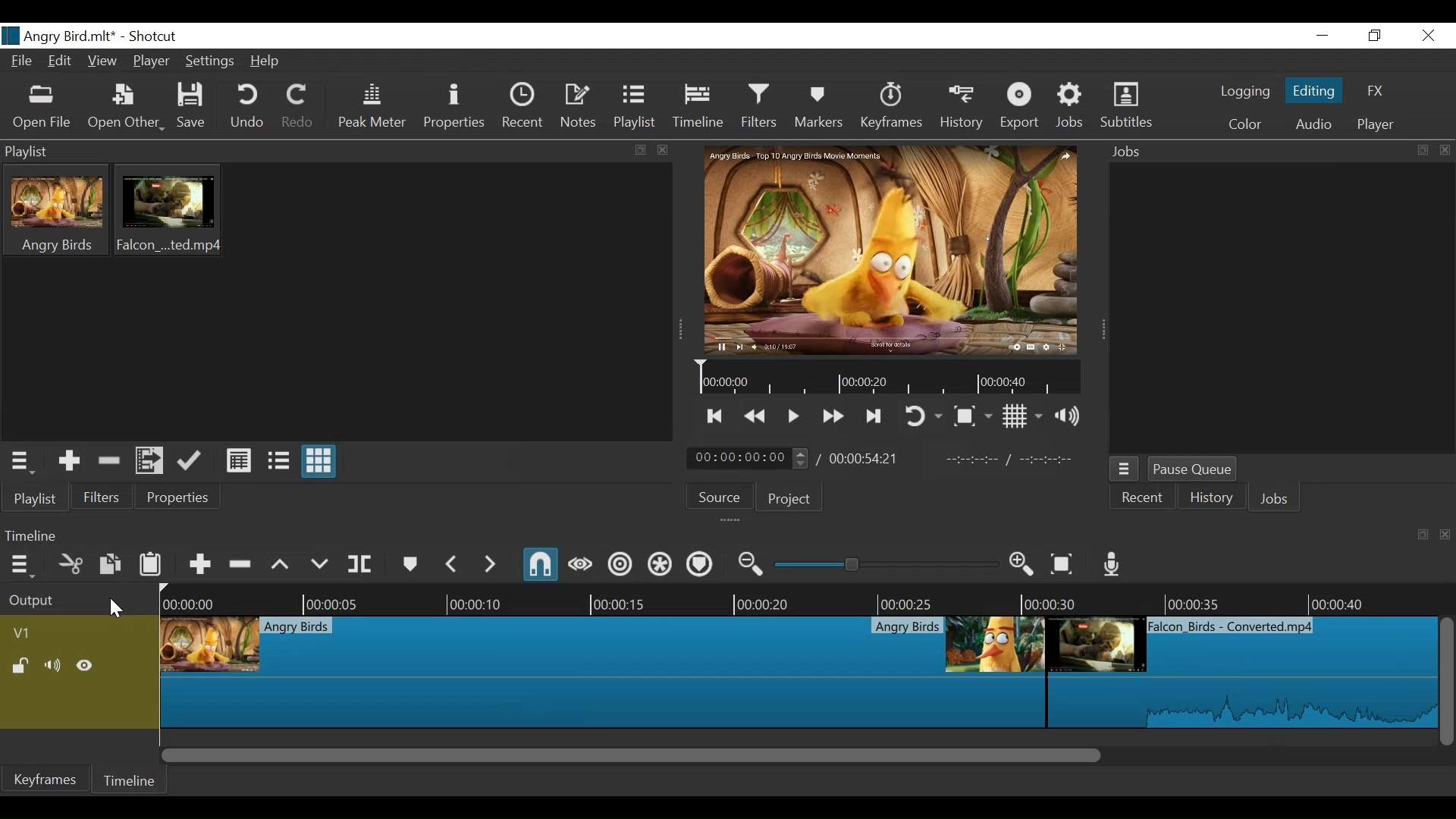  What do you see at coordinates (21, 463) in the screenshot?
I see `Playlist Menu` at bounding box center [21, 463].